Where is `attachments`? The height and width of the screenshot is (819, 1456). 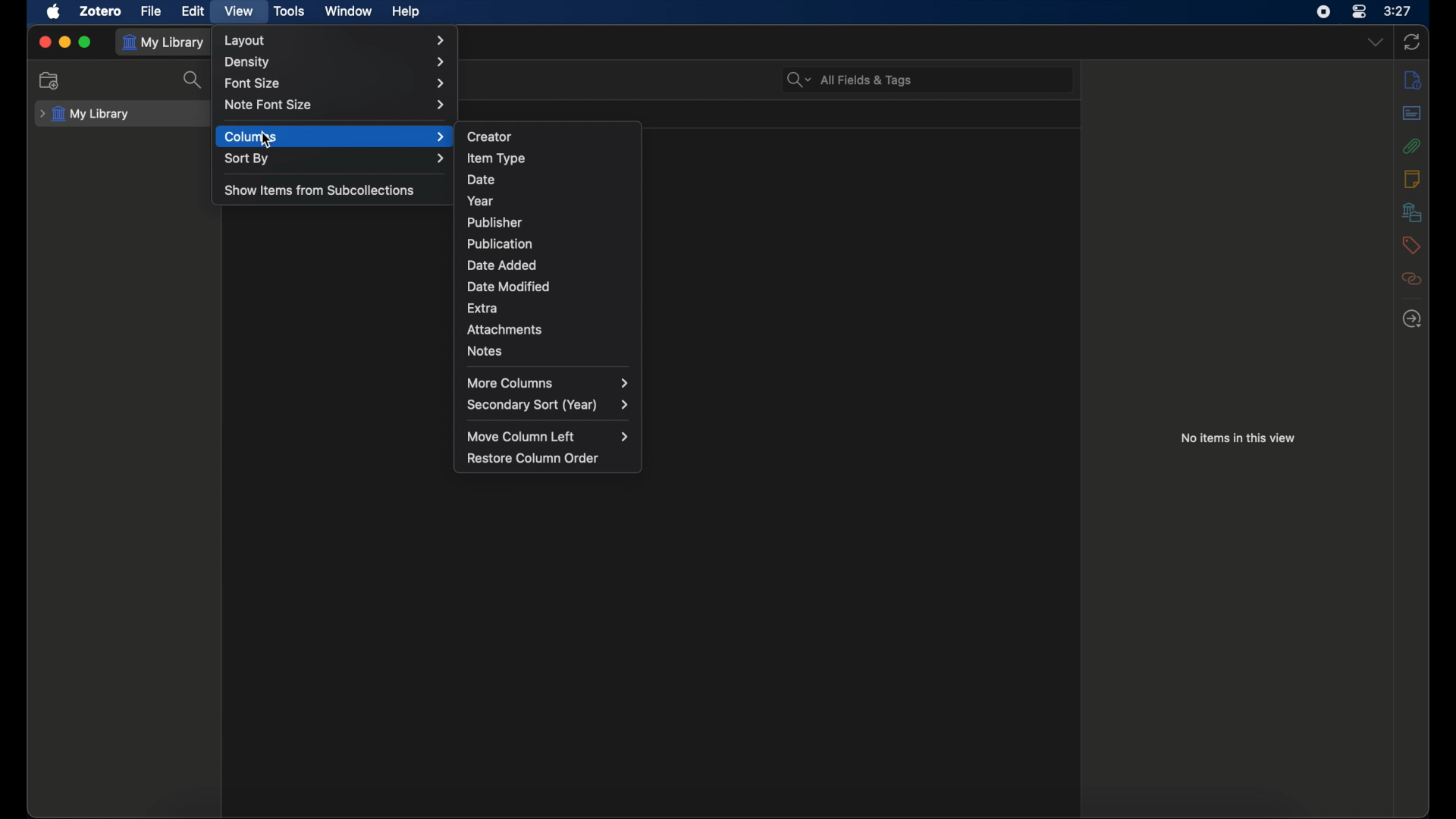 attachments is located at coordinates (1410, 146).